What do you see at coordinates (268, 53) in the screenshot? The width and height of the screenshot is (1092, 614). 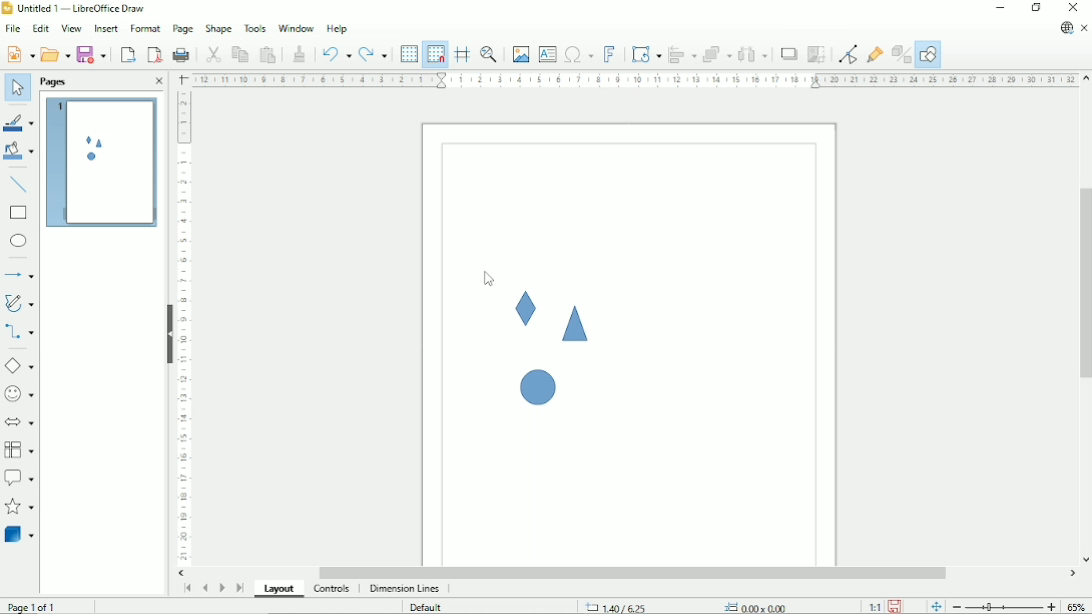 I see `Paste` at bounding box center [268, 53].